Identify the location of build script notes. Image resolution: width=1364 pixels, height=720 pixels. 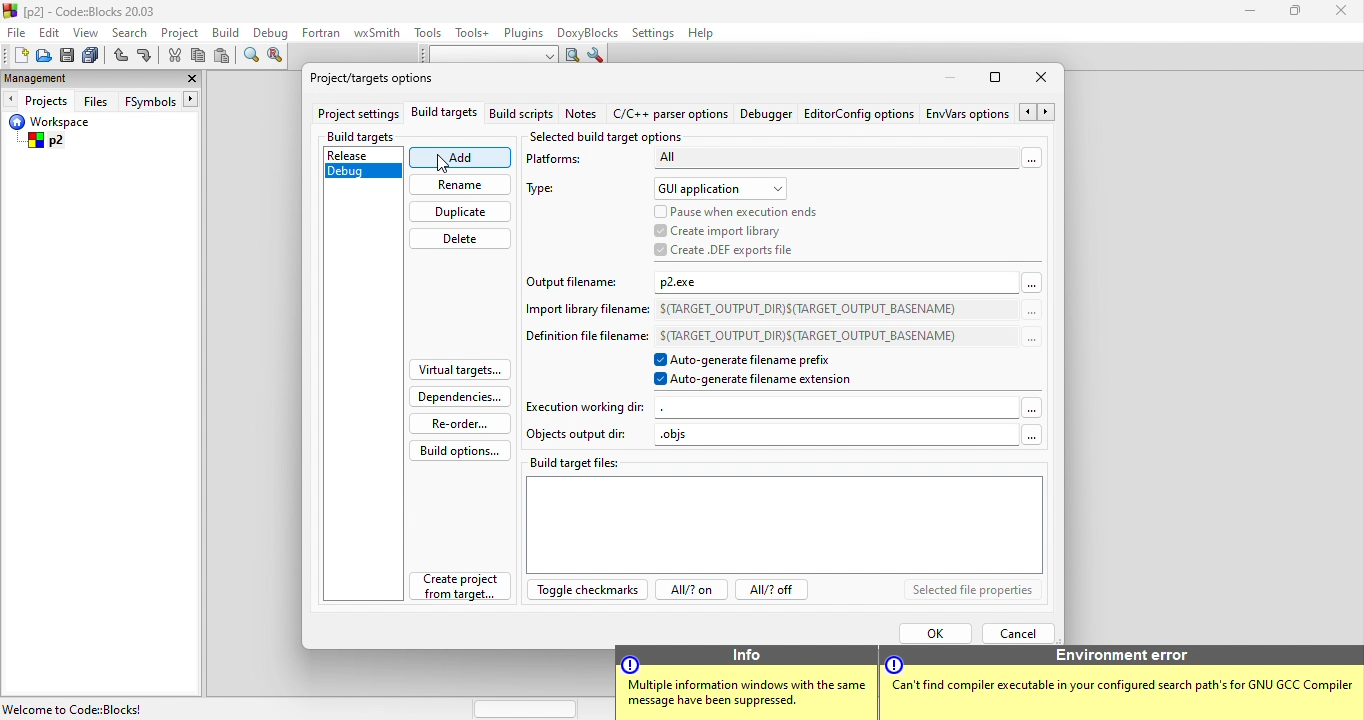
(521, 115).